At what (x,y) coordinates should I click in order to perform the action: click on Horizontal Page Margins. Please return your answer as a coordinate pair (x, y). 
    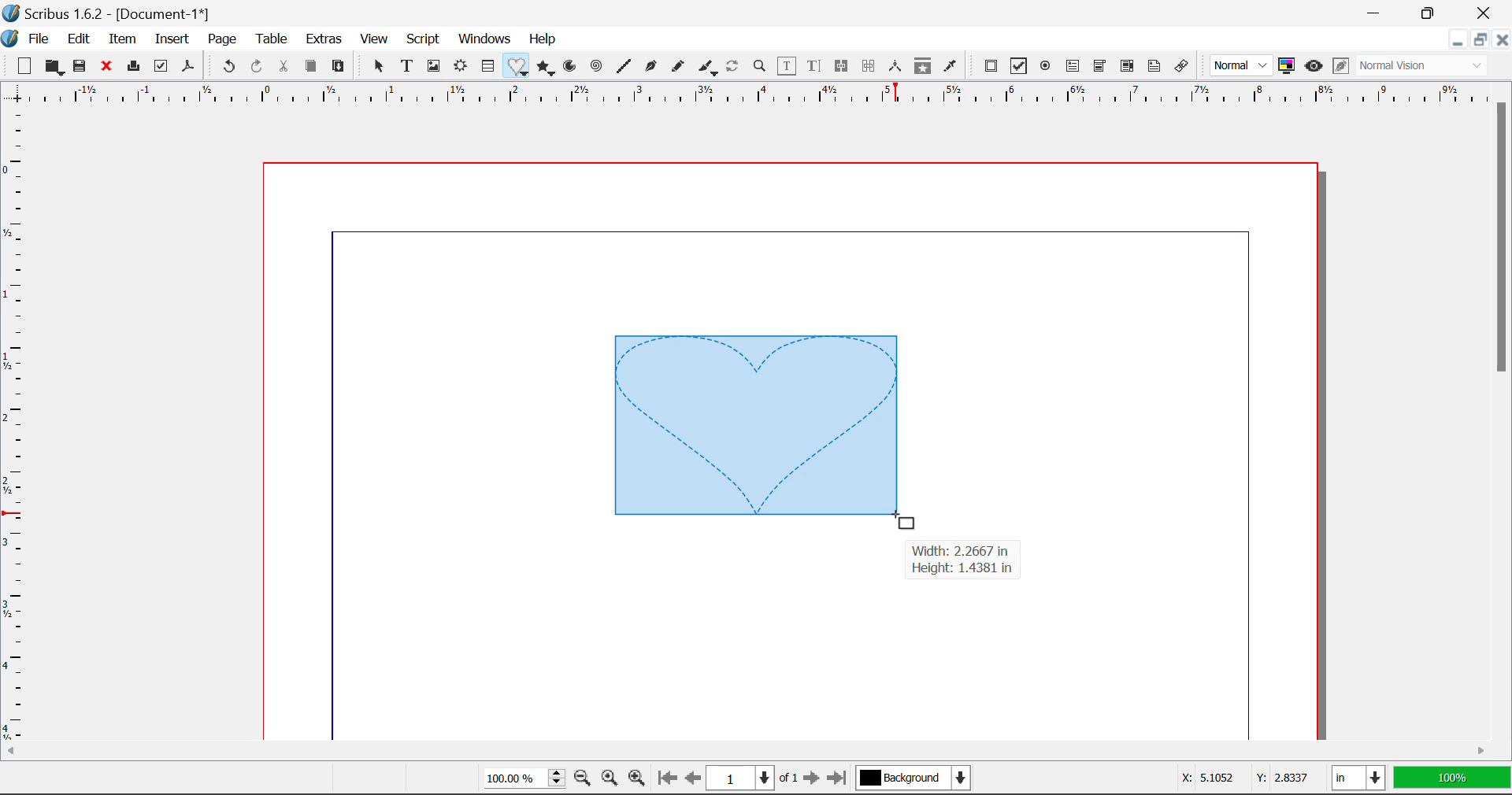
    Looking at the image, I should click on (14, 427).